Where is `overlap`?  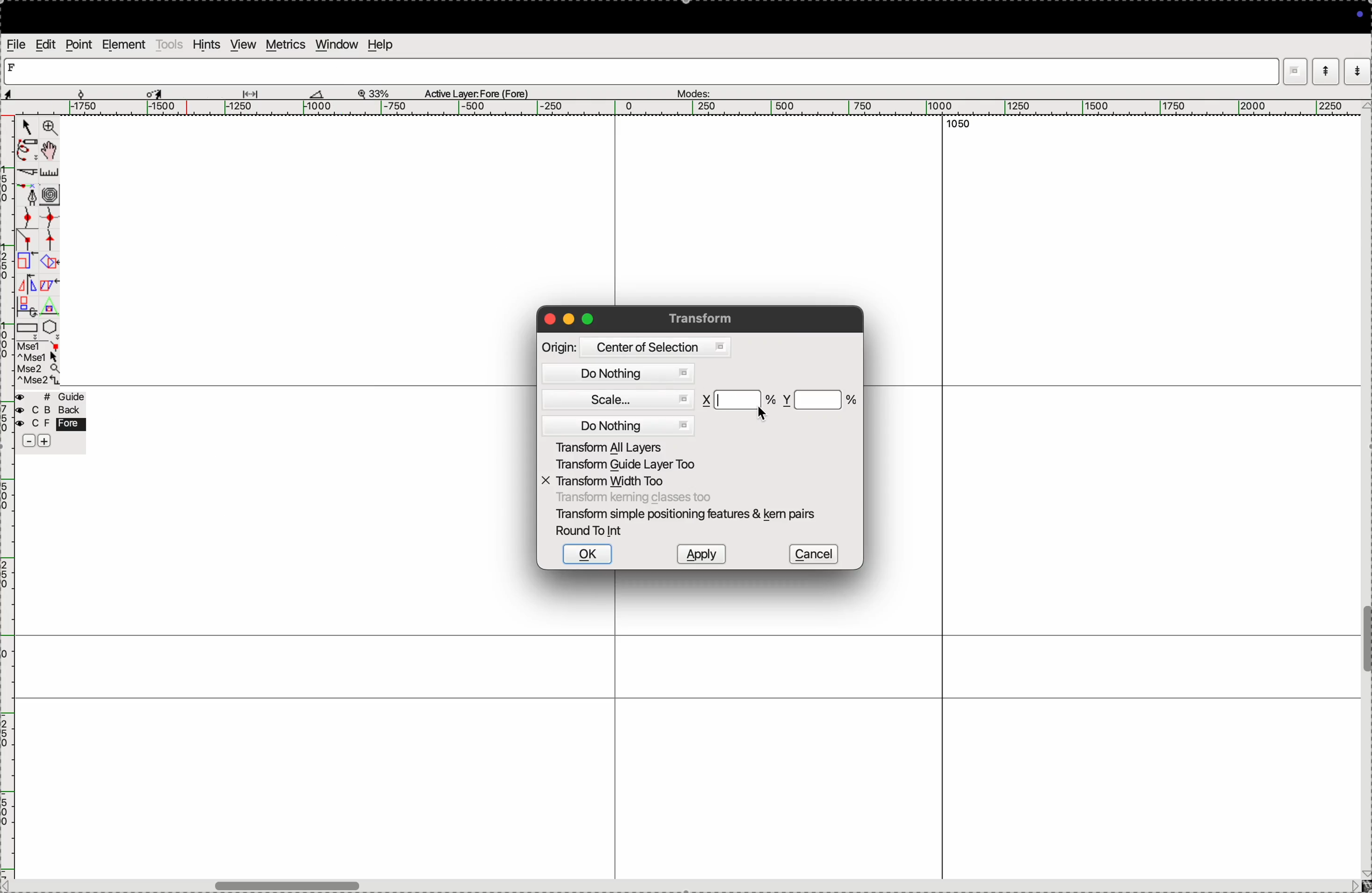
overlap is located at coordinates (51, 262).